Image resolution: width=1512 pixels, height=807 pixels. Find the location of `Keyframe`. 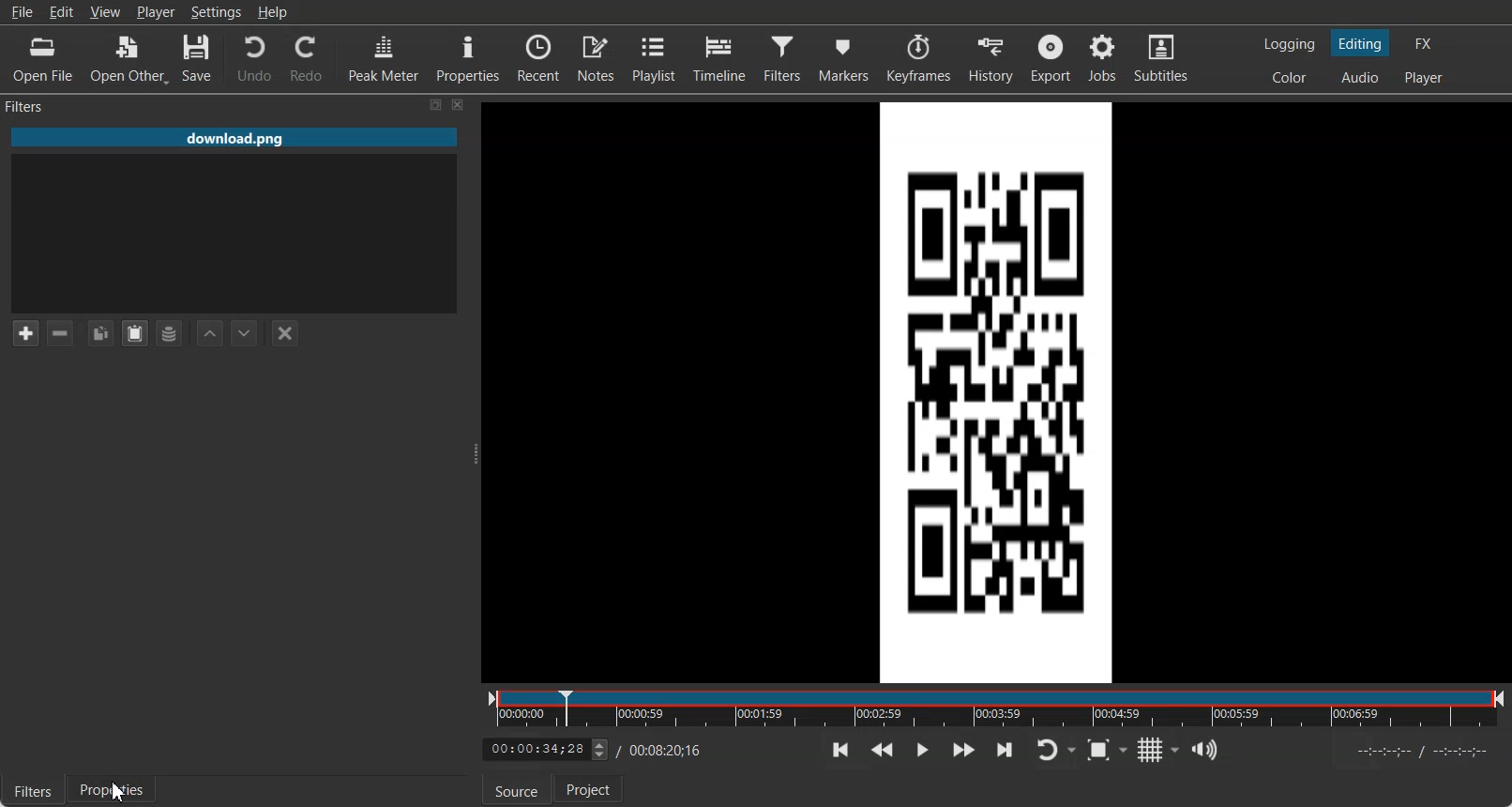

Keyframe is located at coordinates (916, 58).